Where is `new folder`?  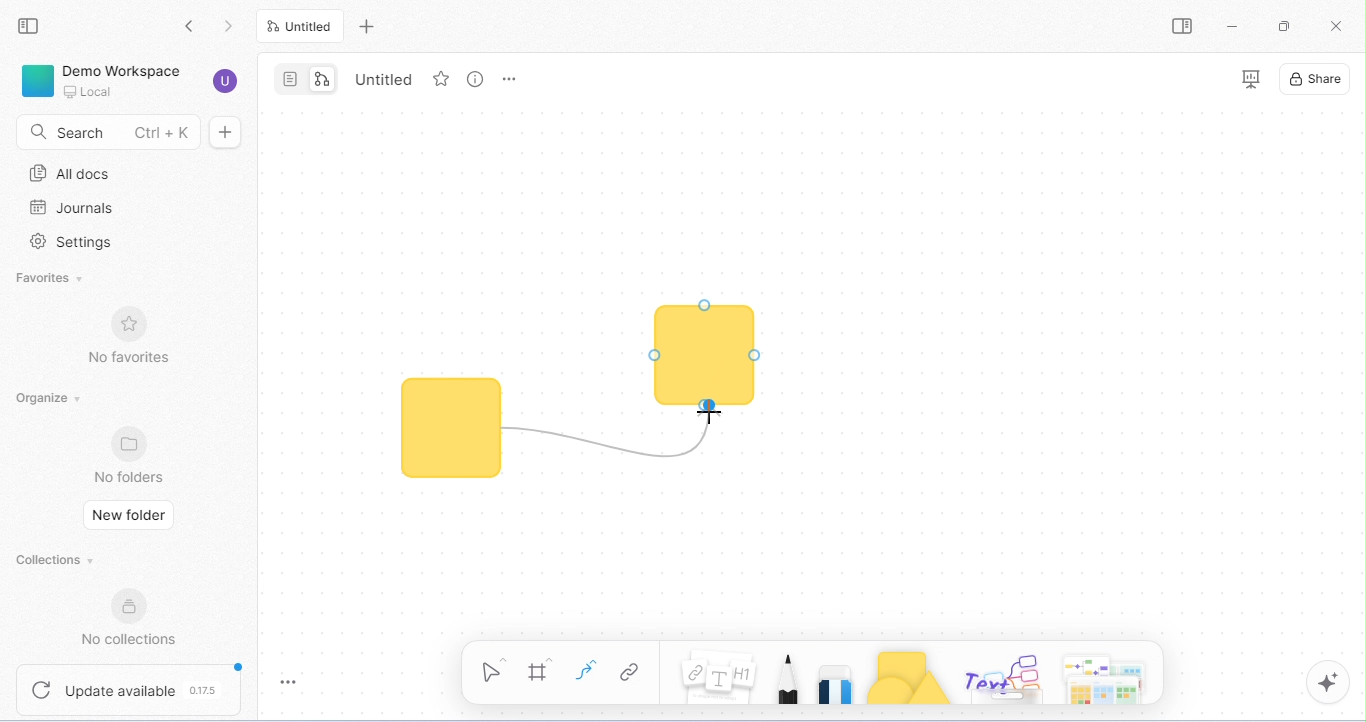 new folder is located at coordinates (131, 514).